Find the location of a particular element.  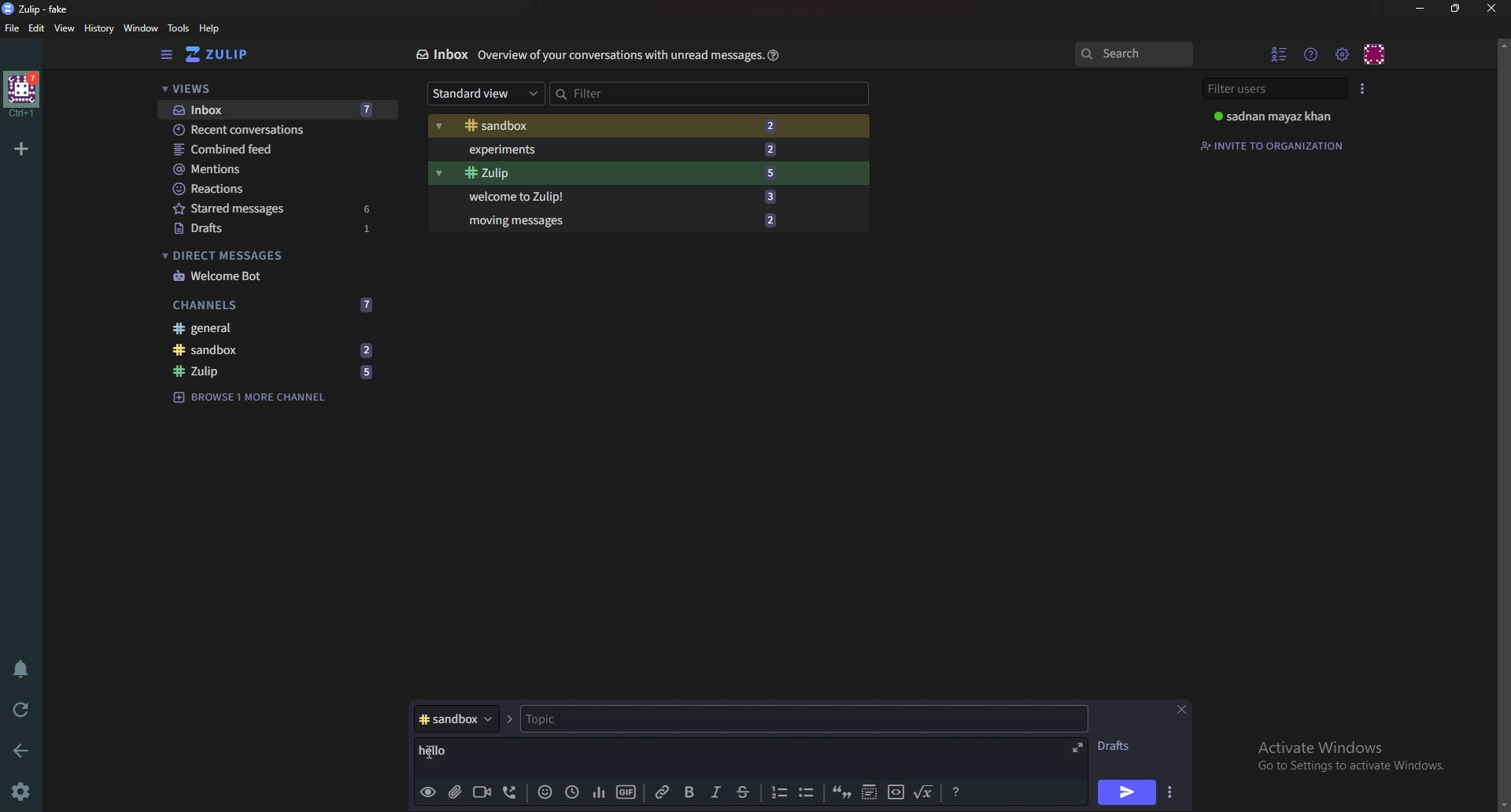

Sandbox is located at coordinates (619, 127).